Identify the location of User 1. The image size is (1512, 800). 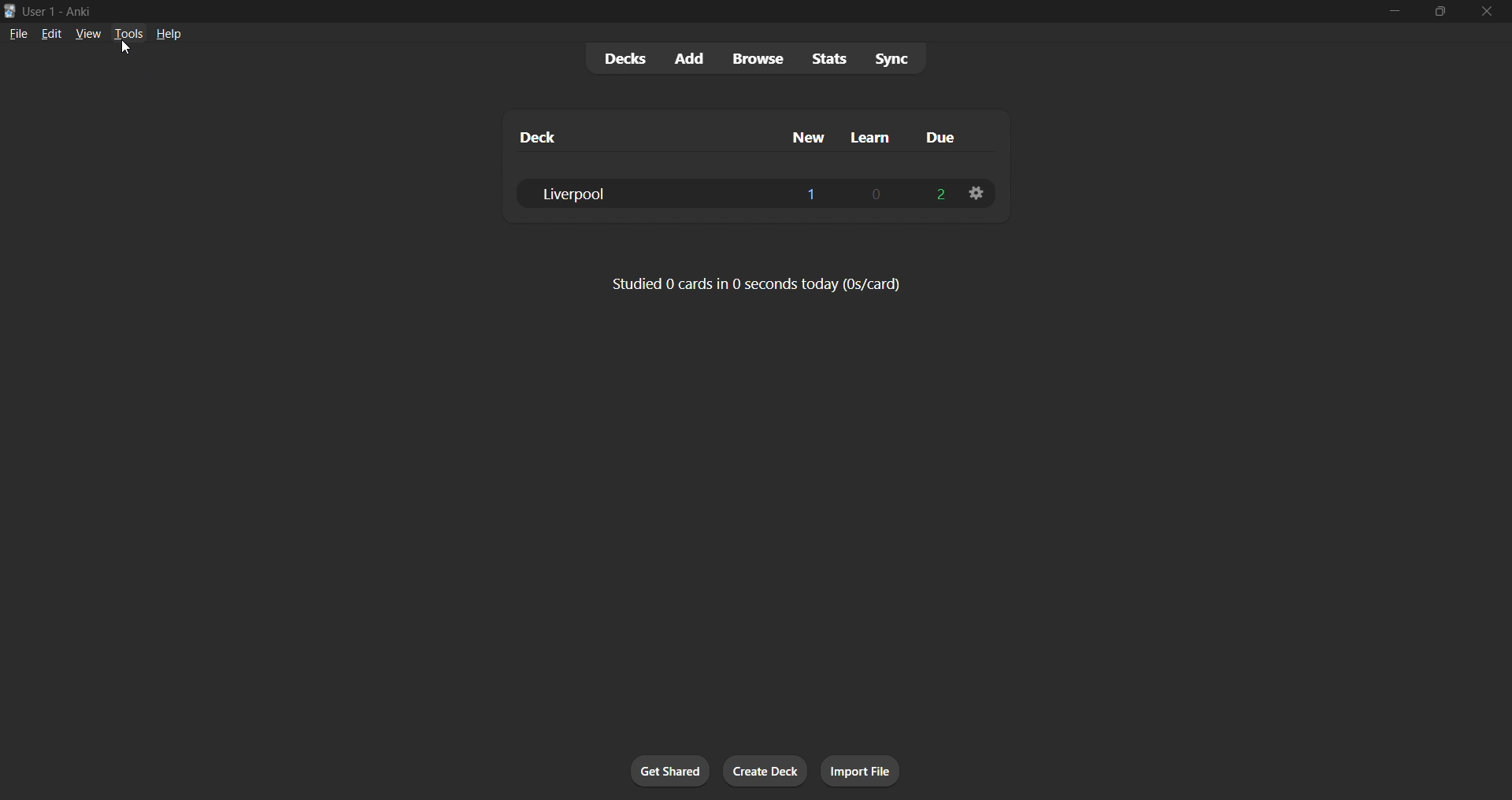
(39, 10).